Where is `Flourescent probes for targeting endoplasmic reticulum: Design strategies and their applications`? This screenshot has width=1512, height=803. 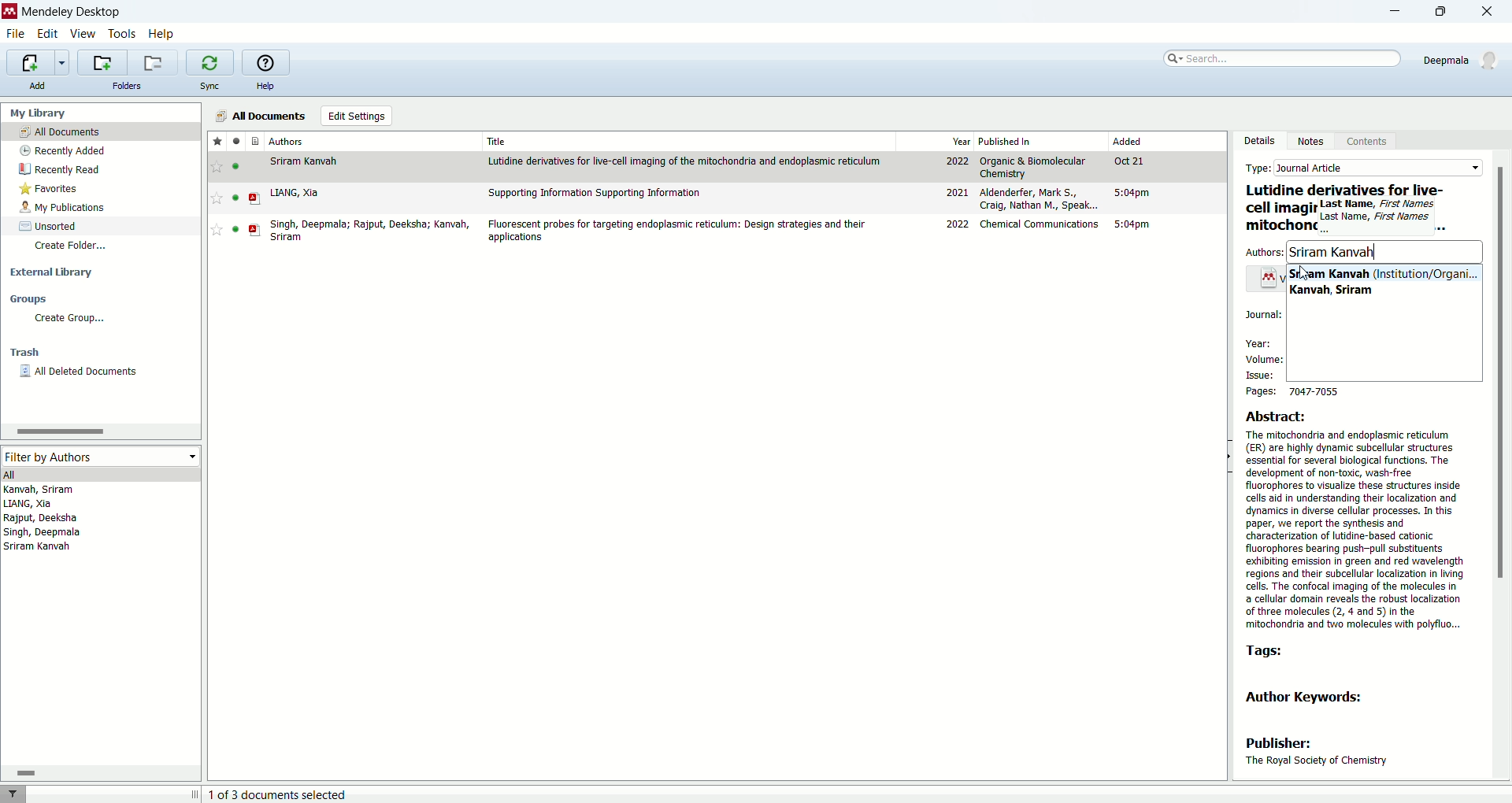
Flourescent probes for targeting endoplasmic reticulum: Design strategies and their applications is located at coordinates (679, 231).